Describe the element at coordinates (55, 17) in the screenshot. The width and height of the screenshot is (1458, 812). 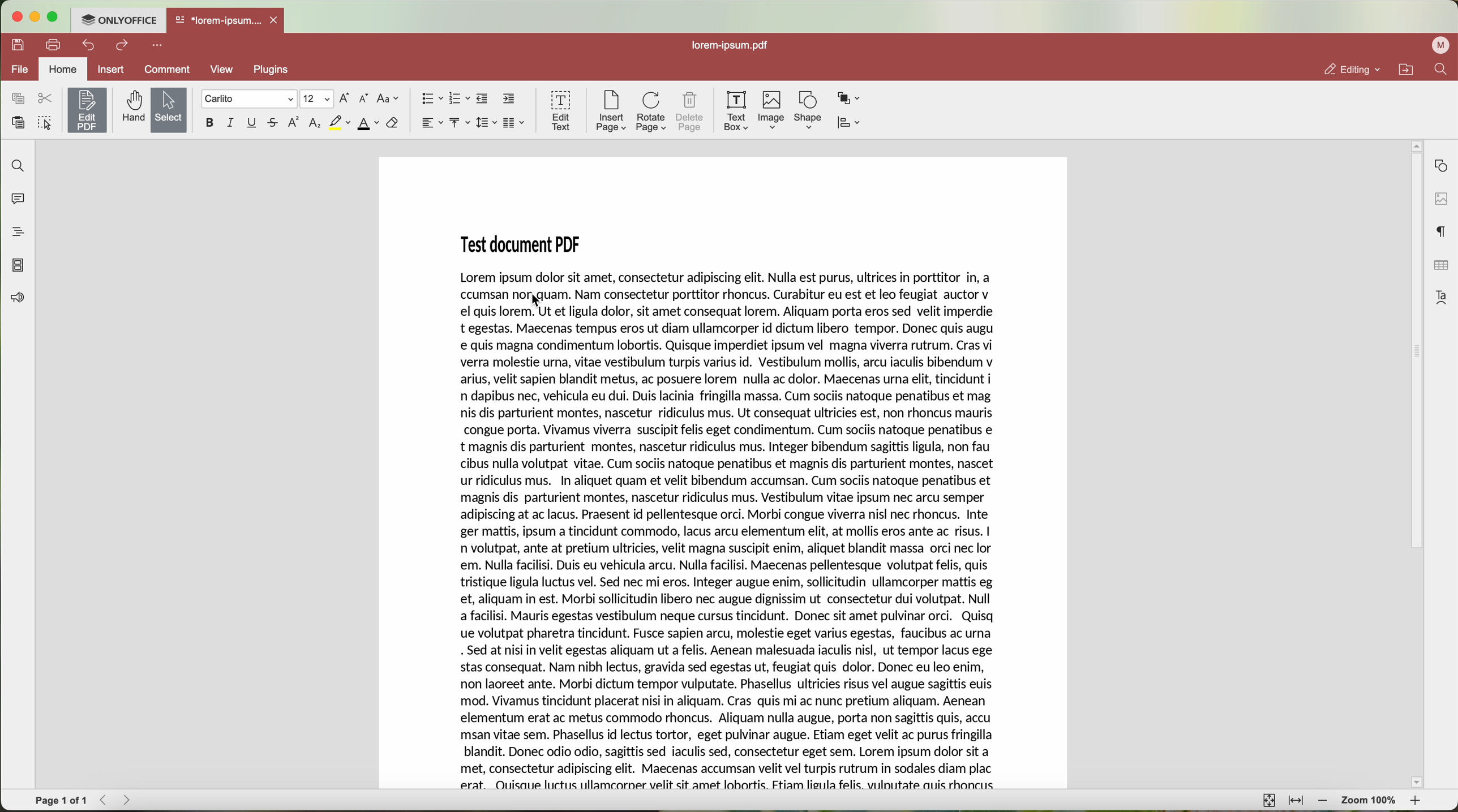
I see `maximize` at that location.